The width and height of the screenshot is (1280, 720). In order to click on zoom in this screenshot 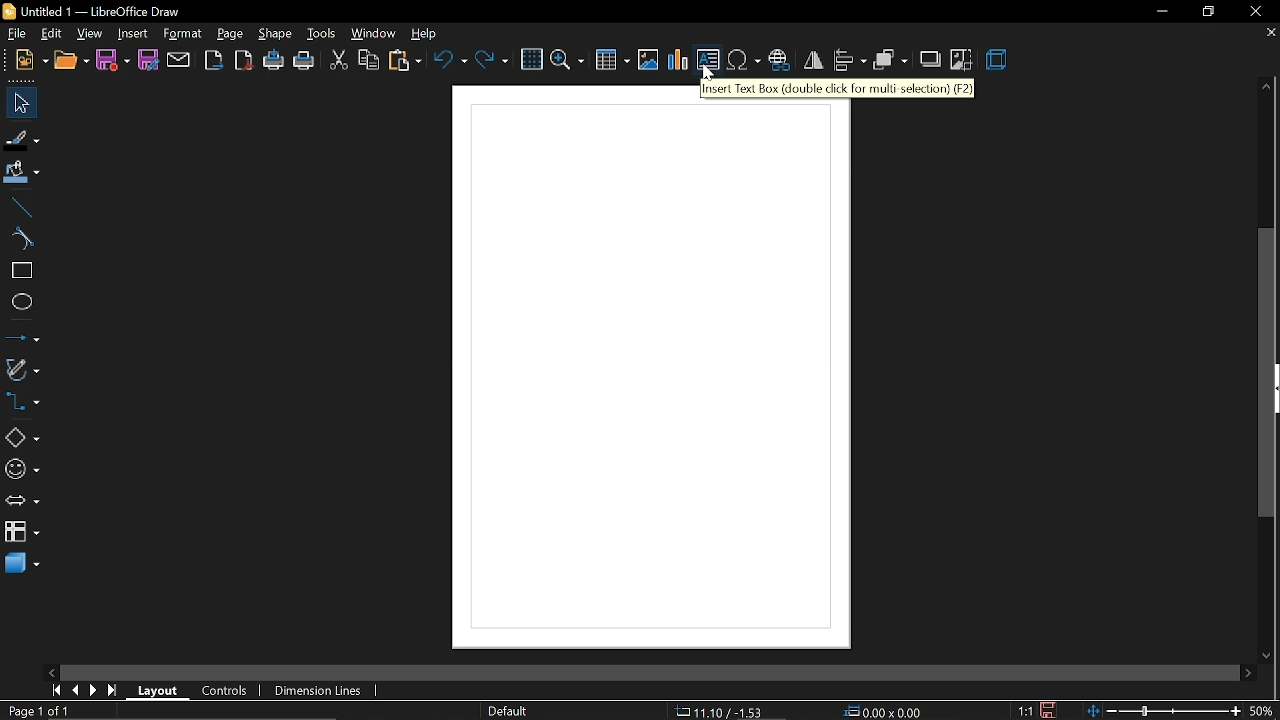, I will do `click(568, 59)`.